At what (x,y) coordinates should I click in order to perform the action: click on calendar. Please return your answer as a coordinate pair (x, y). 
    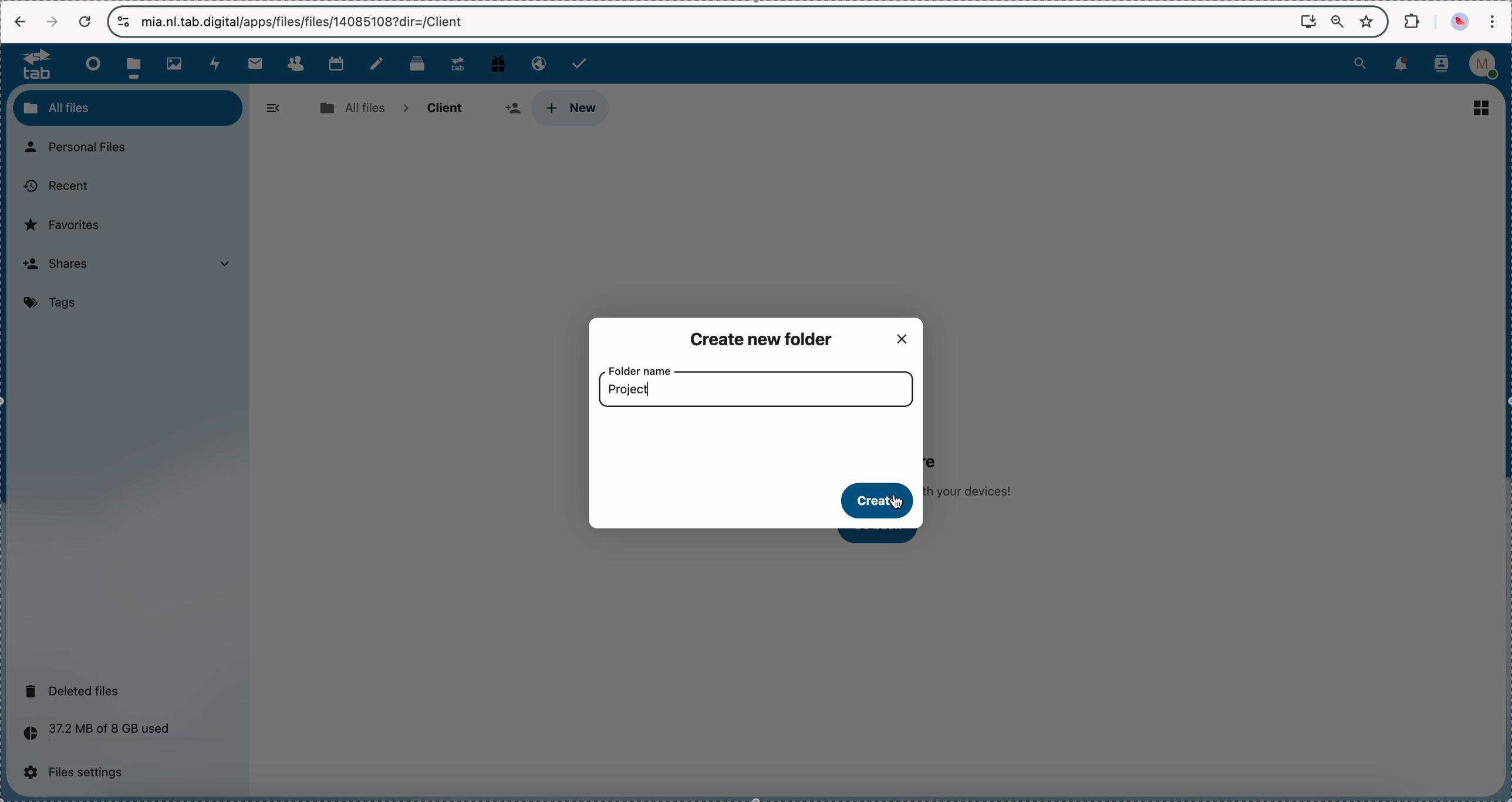
    Looking at the image, I should click on (336, 62).